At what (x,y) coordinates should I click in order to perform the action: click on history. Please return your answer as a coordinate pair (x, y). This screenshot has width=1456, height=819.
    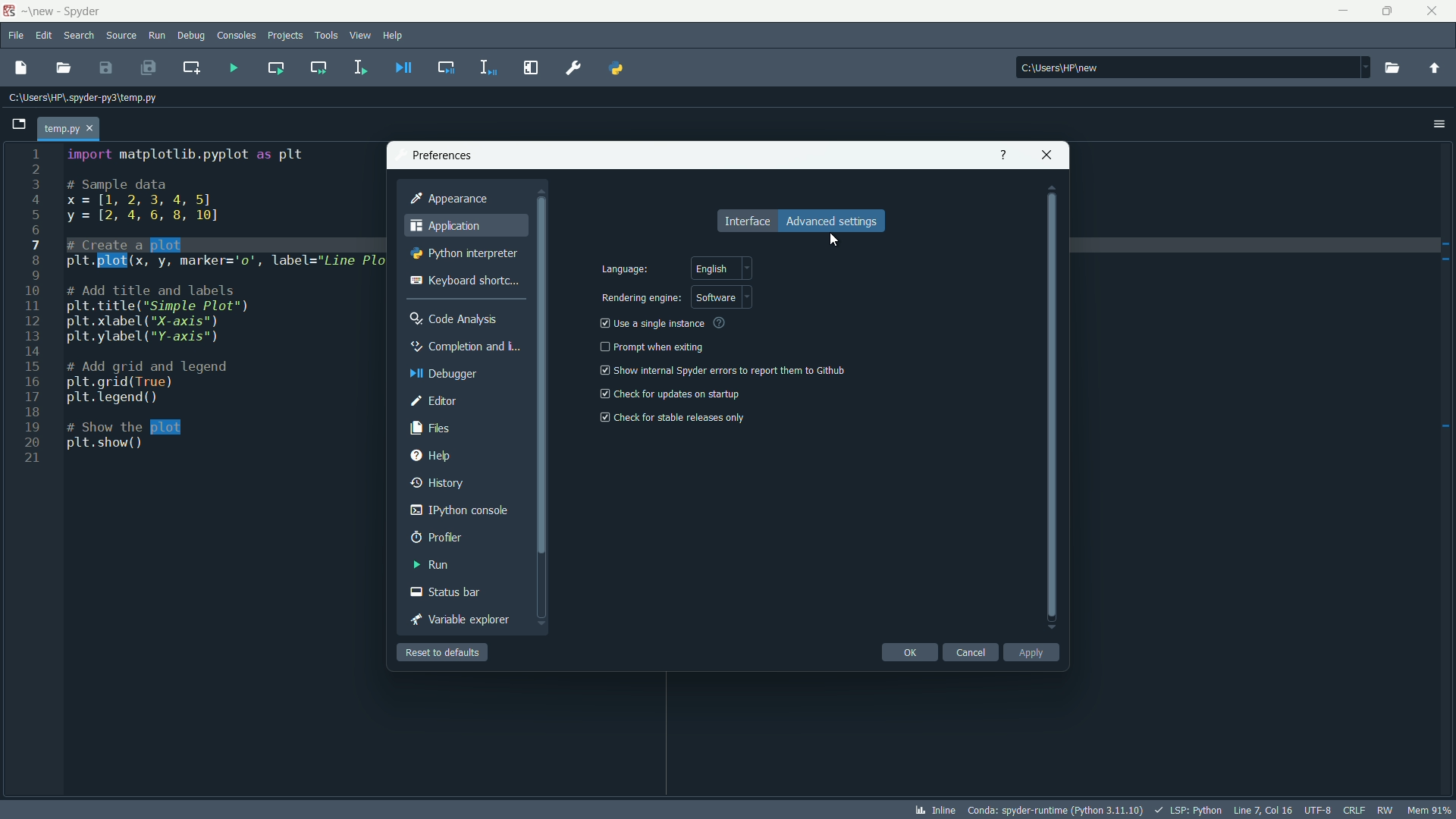
    Looking at the image, I should click on (438, 480).